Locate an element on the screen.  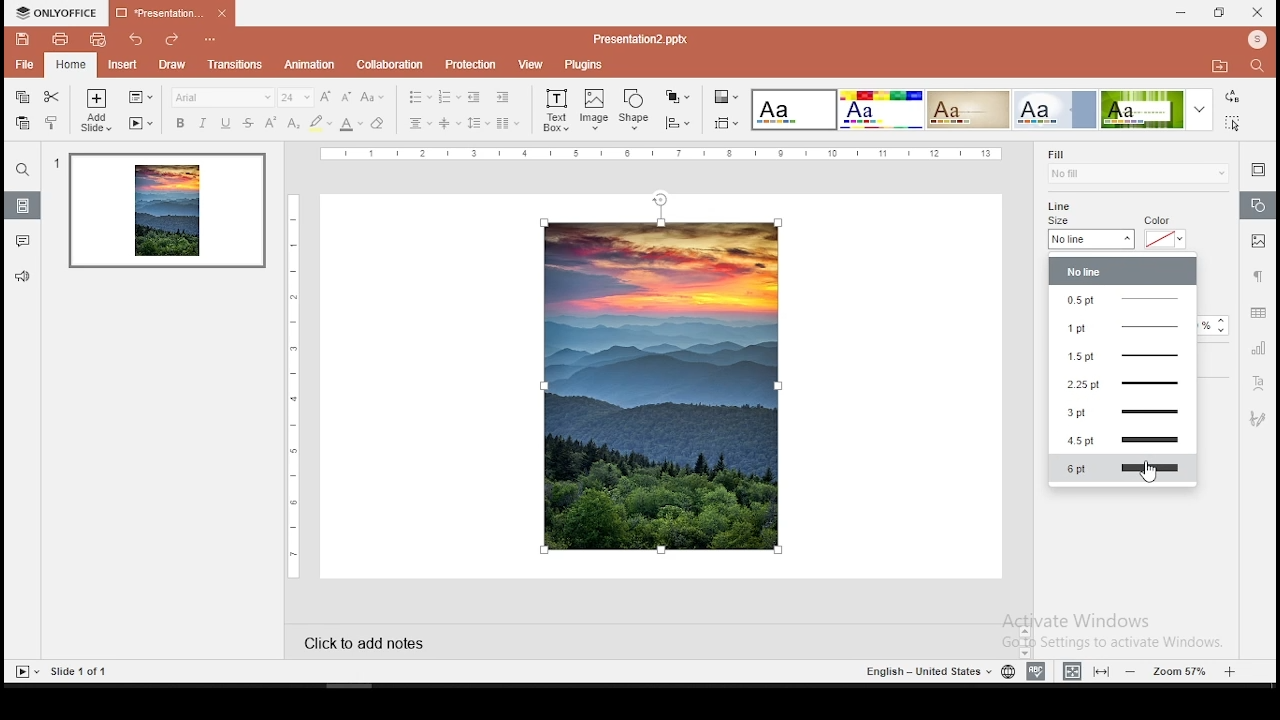
theme  is located at coordinates (1157, 109).